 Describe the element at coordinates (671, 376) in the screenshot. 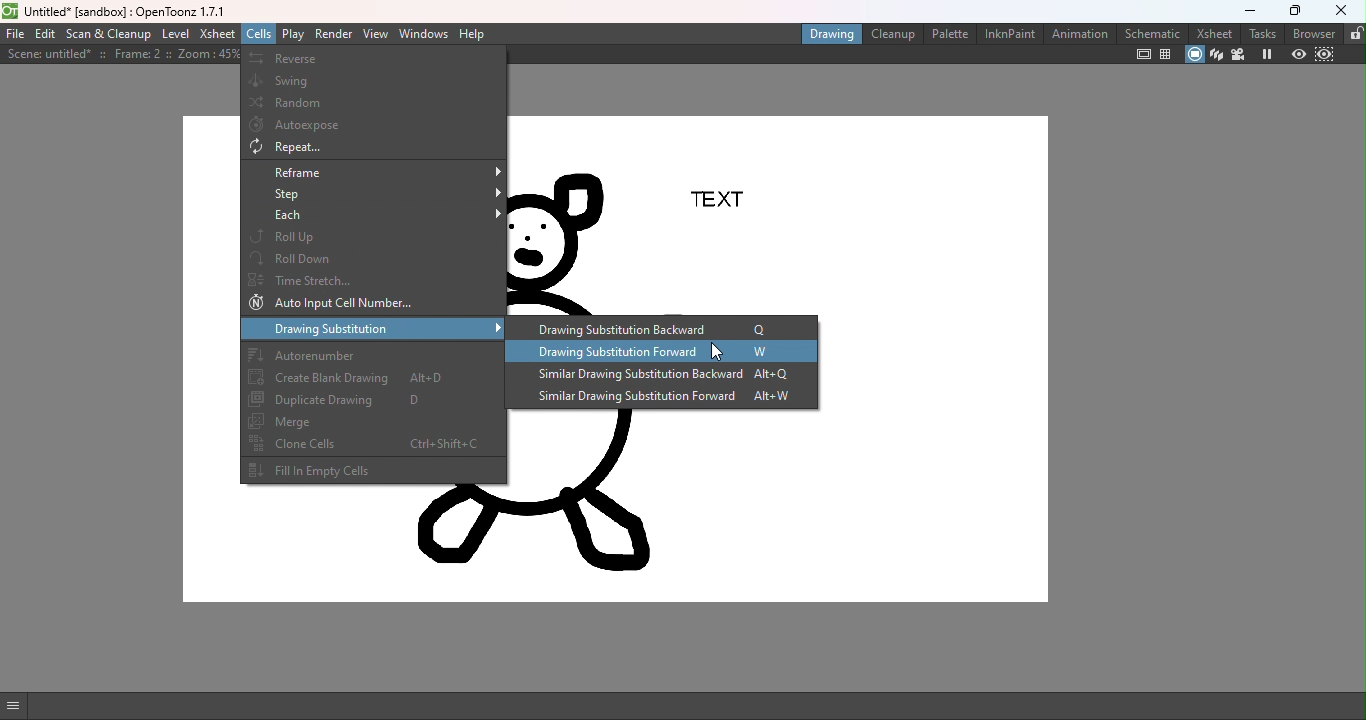

I see `Similar drawing substitution backward` at that location.